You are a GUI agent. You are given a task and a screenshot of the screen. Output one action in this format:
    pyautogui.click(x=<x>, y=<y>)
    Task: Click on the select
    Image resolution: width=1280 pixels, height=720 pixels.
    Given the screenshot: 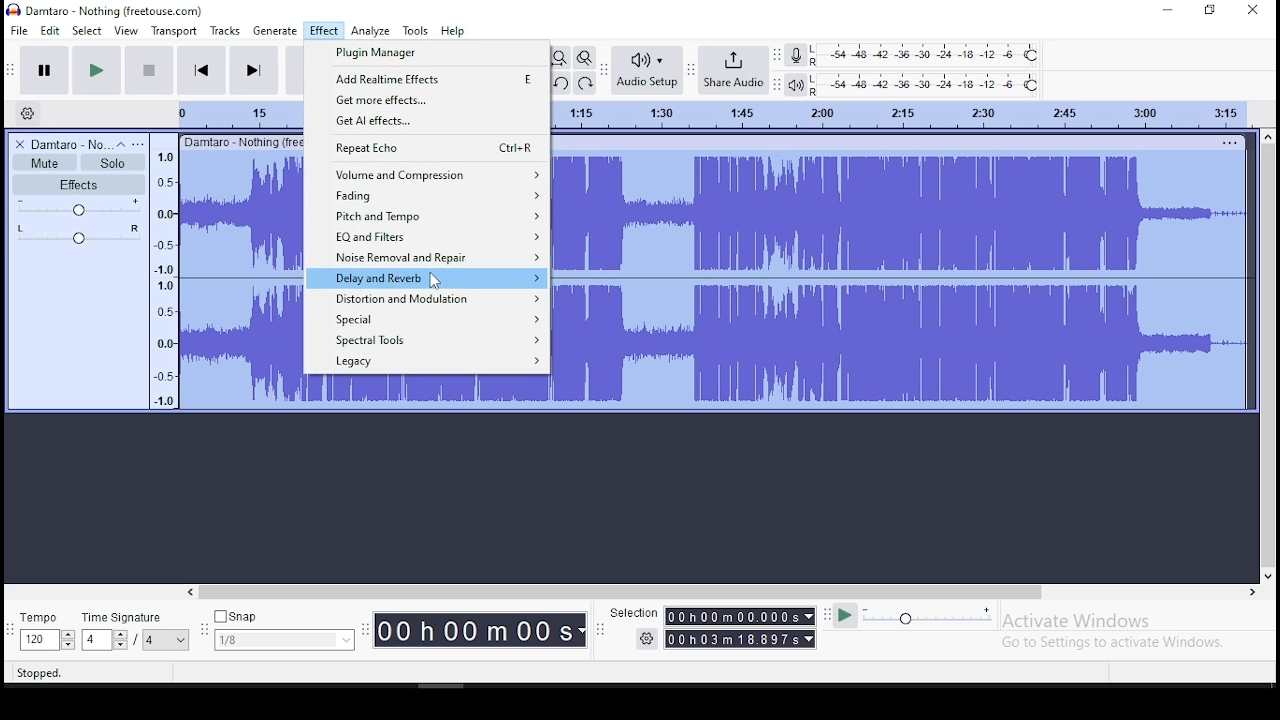 What is the action you would take?
    pyautogui.click(x=88, y=30)
    